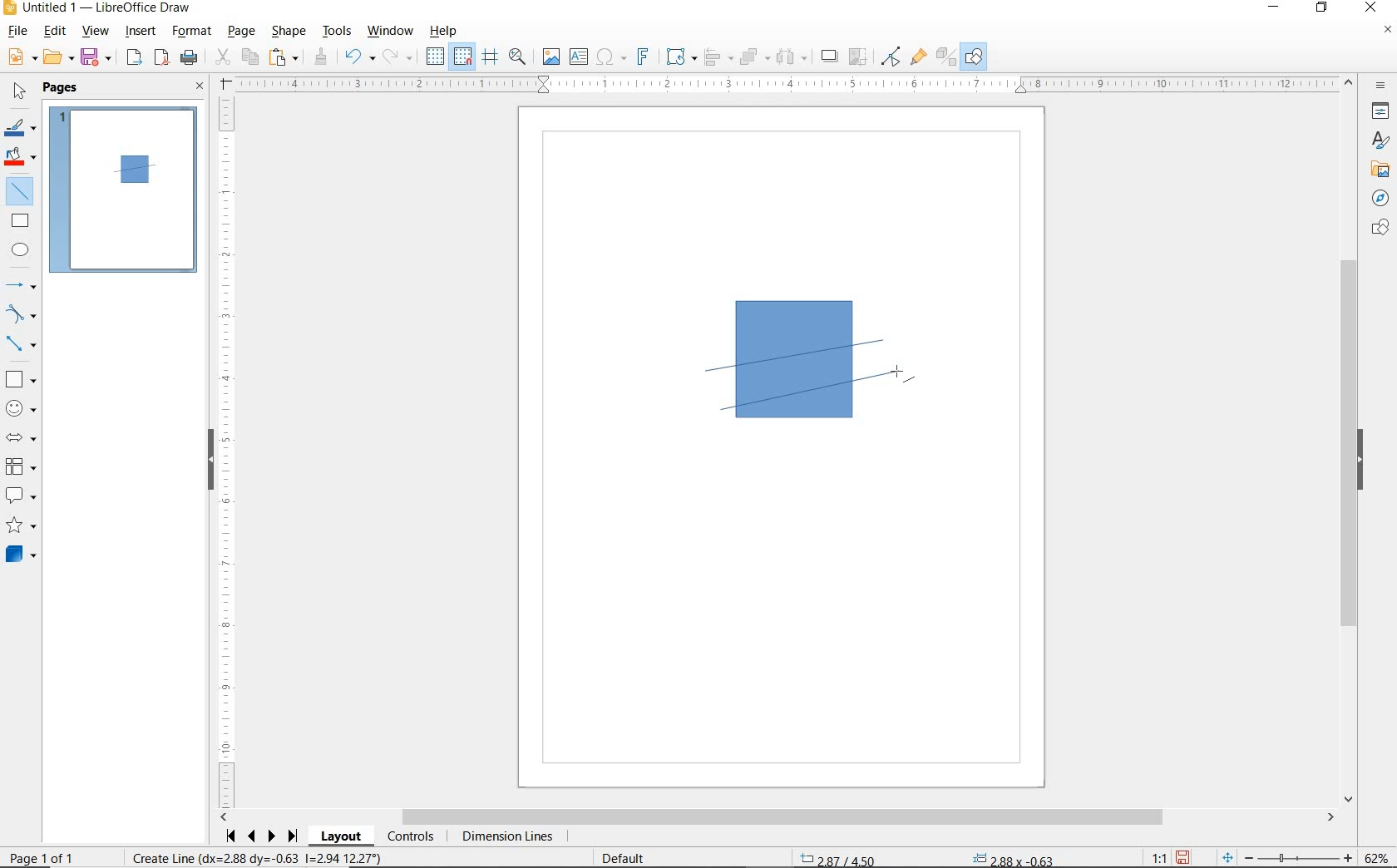  I want to click on SCROLLBAR, so click(777, 817).